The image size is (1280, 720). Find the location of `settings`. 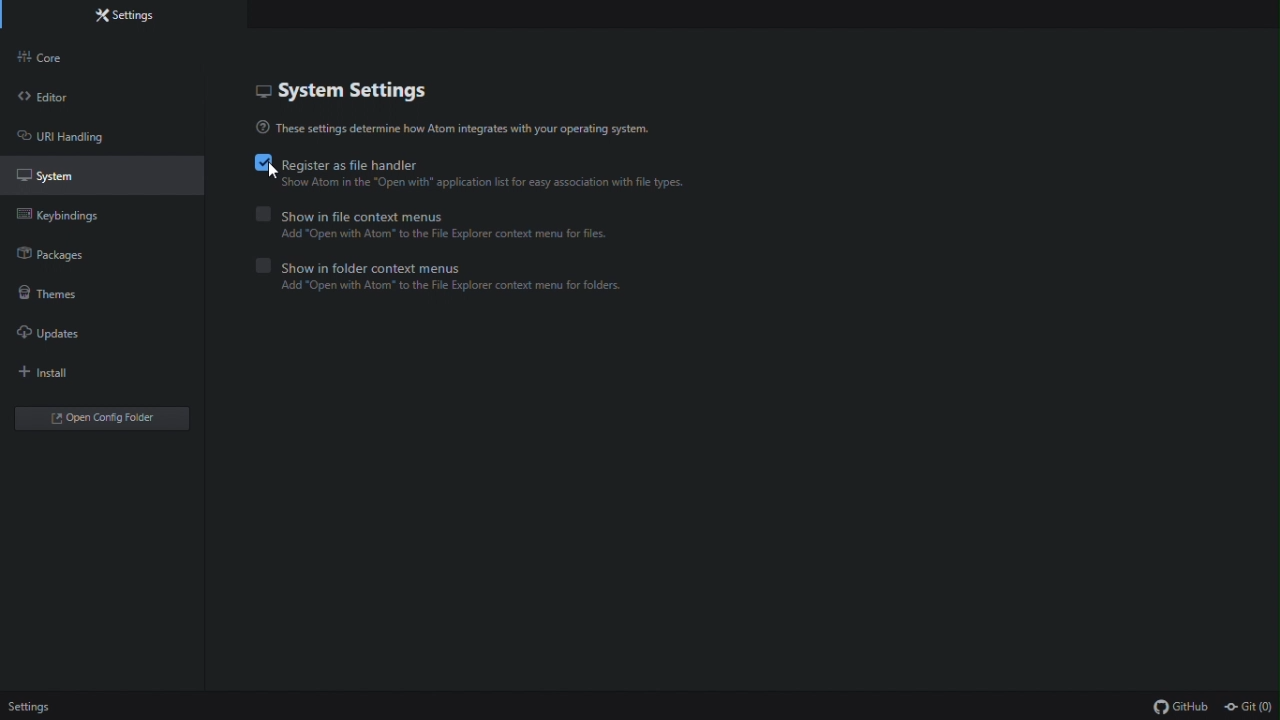

settings is located at coordinates (32, 708).